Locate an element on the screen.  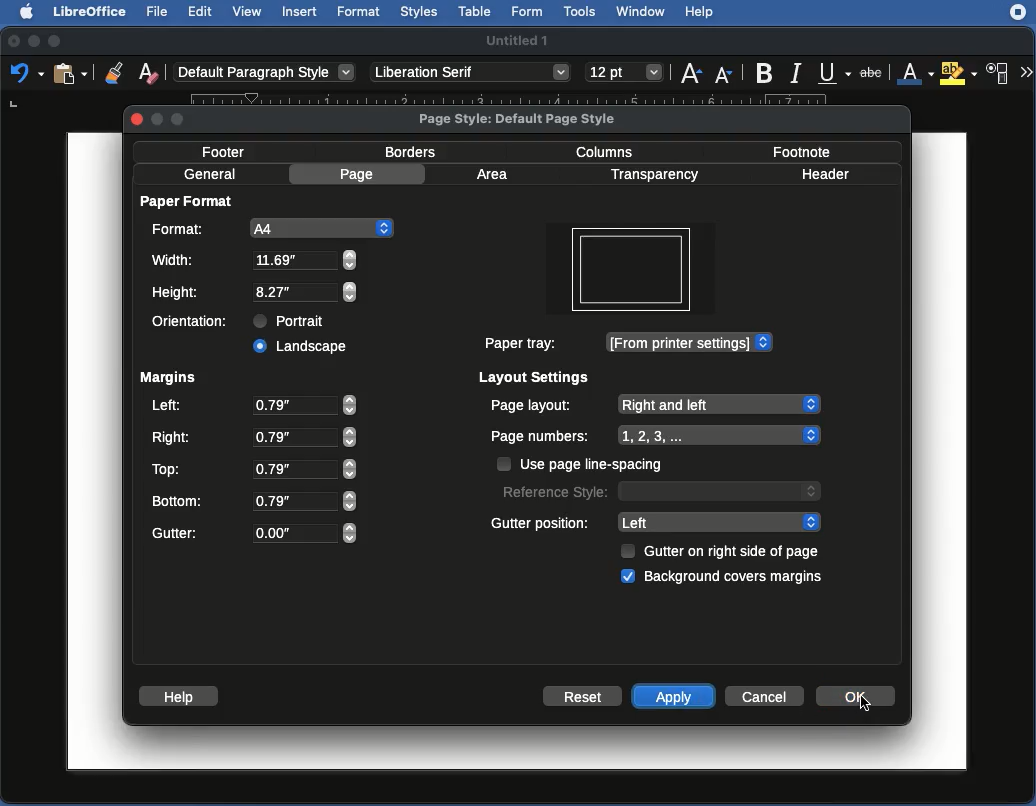
Size up is located at coordinates (691, 75).